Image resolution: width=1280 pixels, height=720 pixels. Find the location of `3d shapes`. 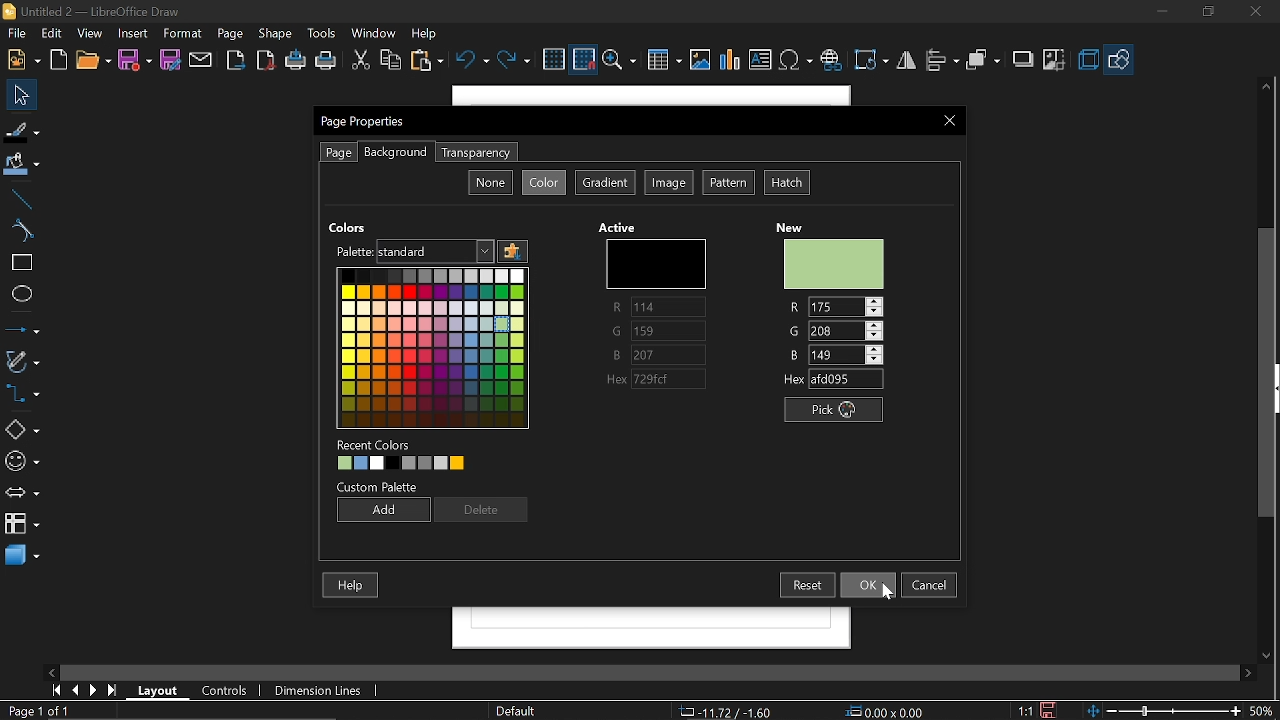

3d shapes is located at coordinates (22, 556).